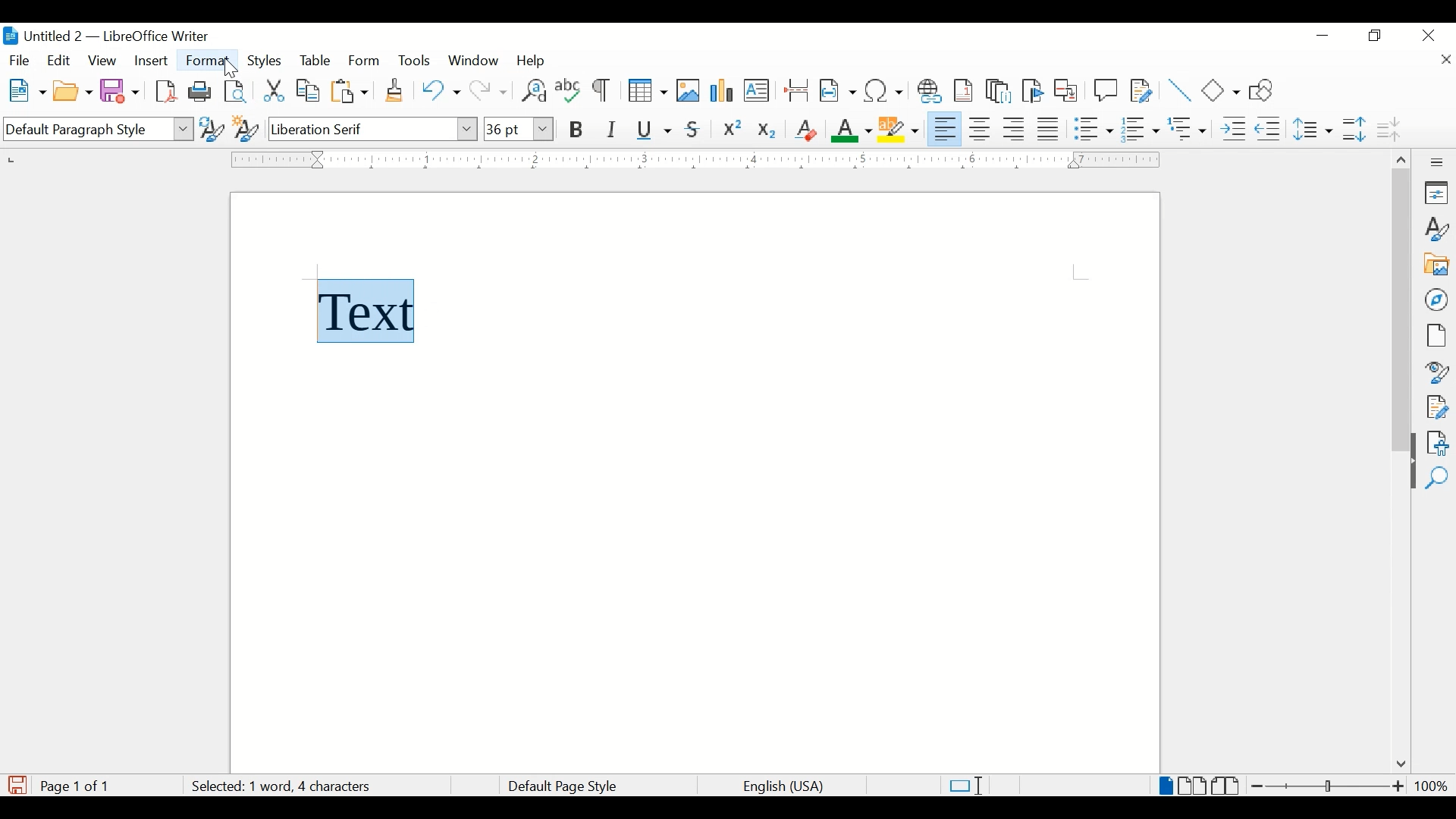 This screenshot has height=819, width=1456. What do you see at coordinates (60, 60) in the screenshot?
I see `edit` at bounding box center [60, 60].